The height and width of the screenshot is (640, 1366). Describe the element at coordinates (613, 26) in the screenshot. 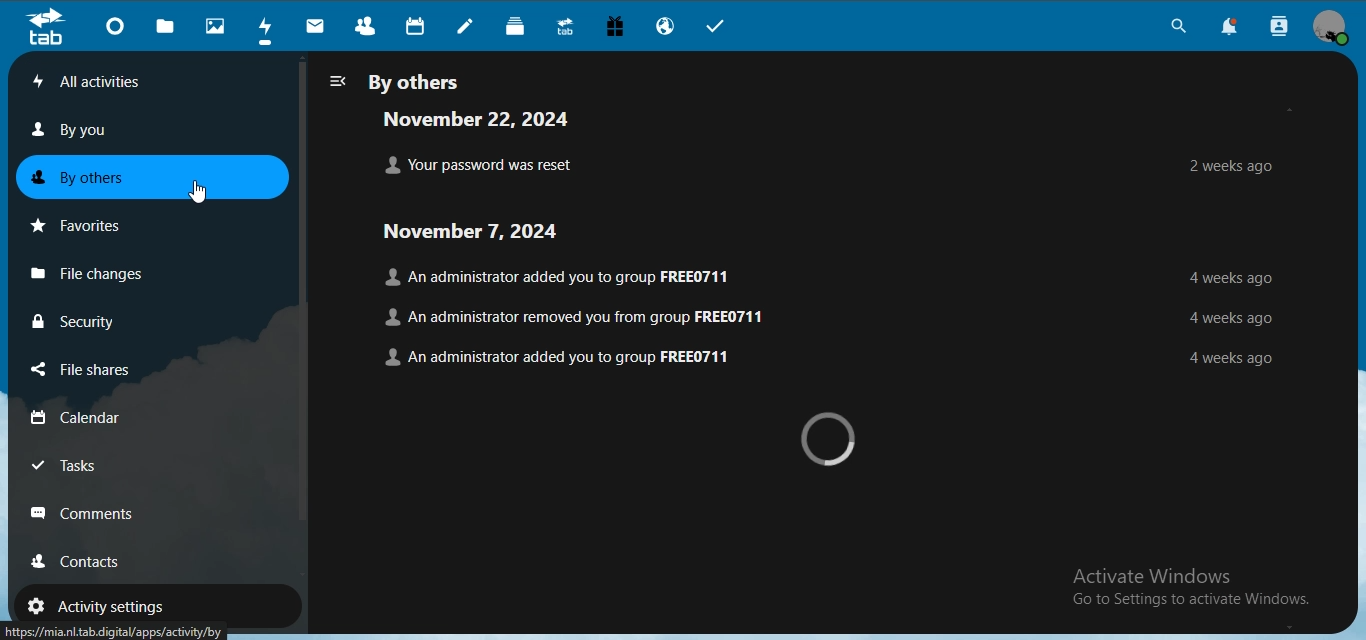

I see `free trial` at that location.